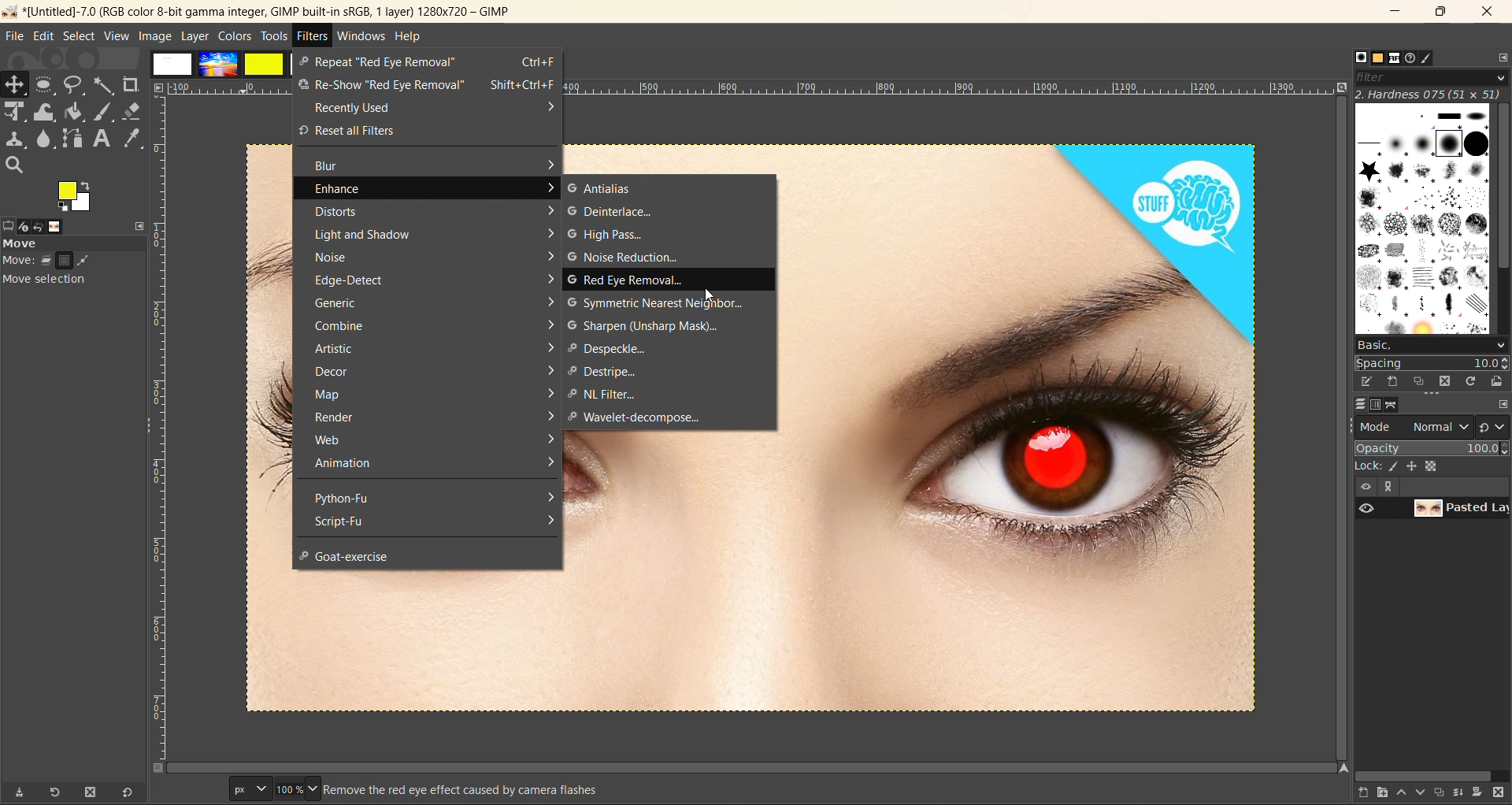  Describe the element at coordinates (11, 36) in the screenshot. I see `file` at that location.